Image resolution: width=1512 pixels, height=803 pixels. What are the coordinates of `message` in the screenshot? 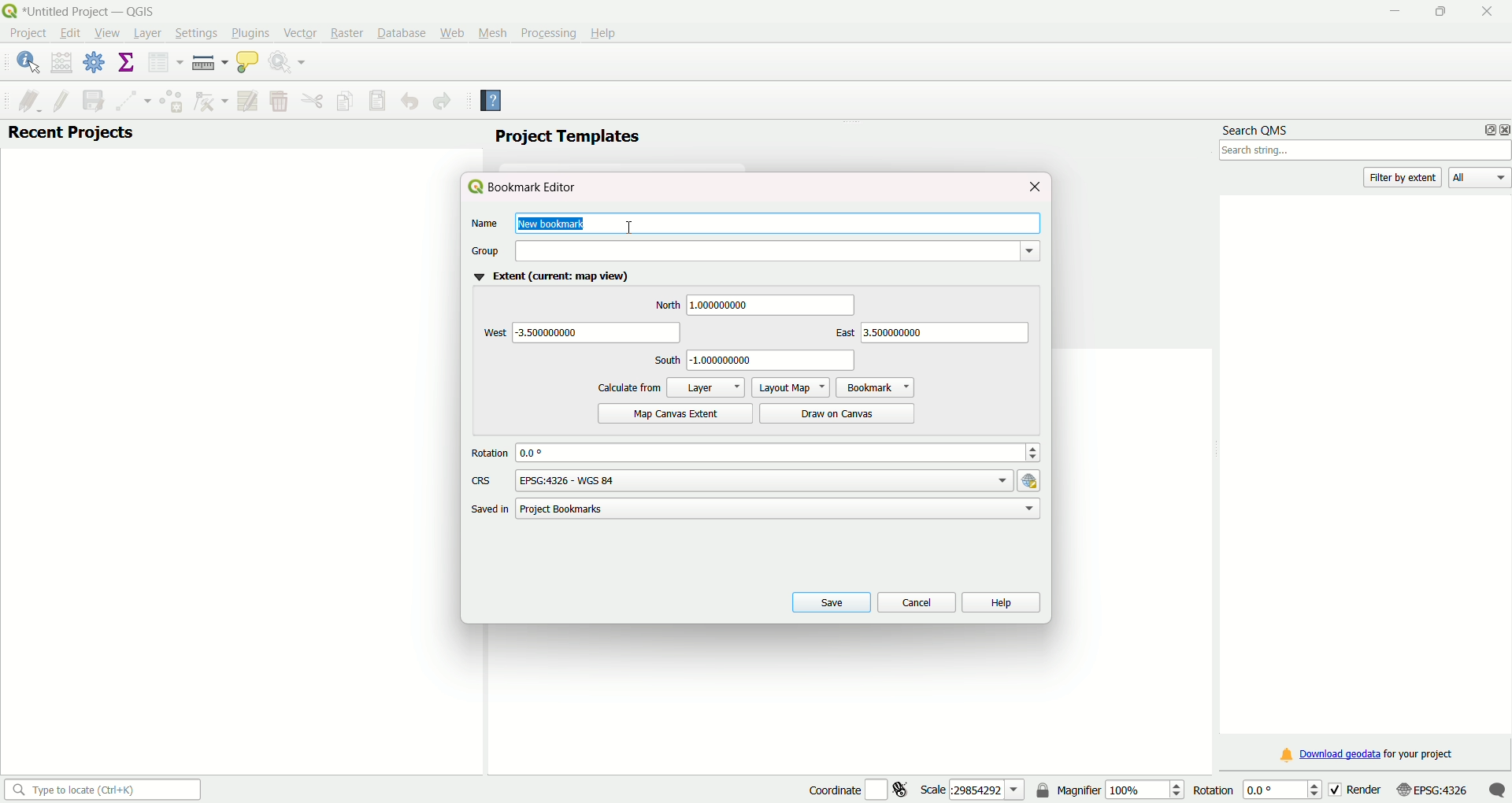 It's located at (1497, 789).